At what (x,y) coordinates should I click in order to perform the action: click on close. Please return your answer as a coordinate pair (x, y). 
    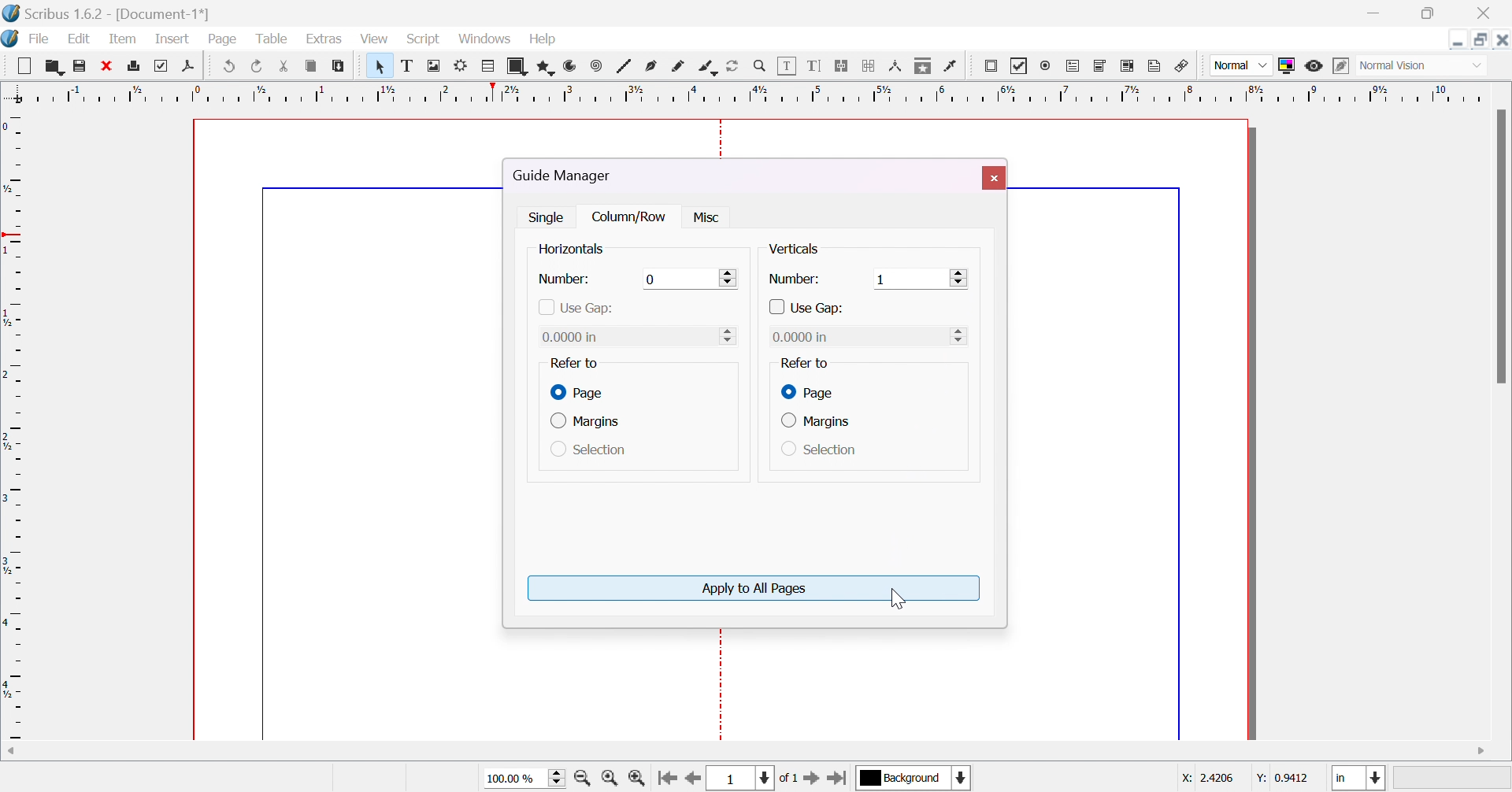
    Looking at the image, I should click on (108, 65).